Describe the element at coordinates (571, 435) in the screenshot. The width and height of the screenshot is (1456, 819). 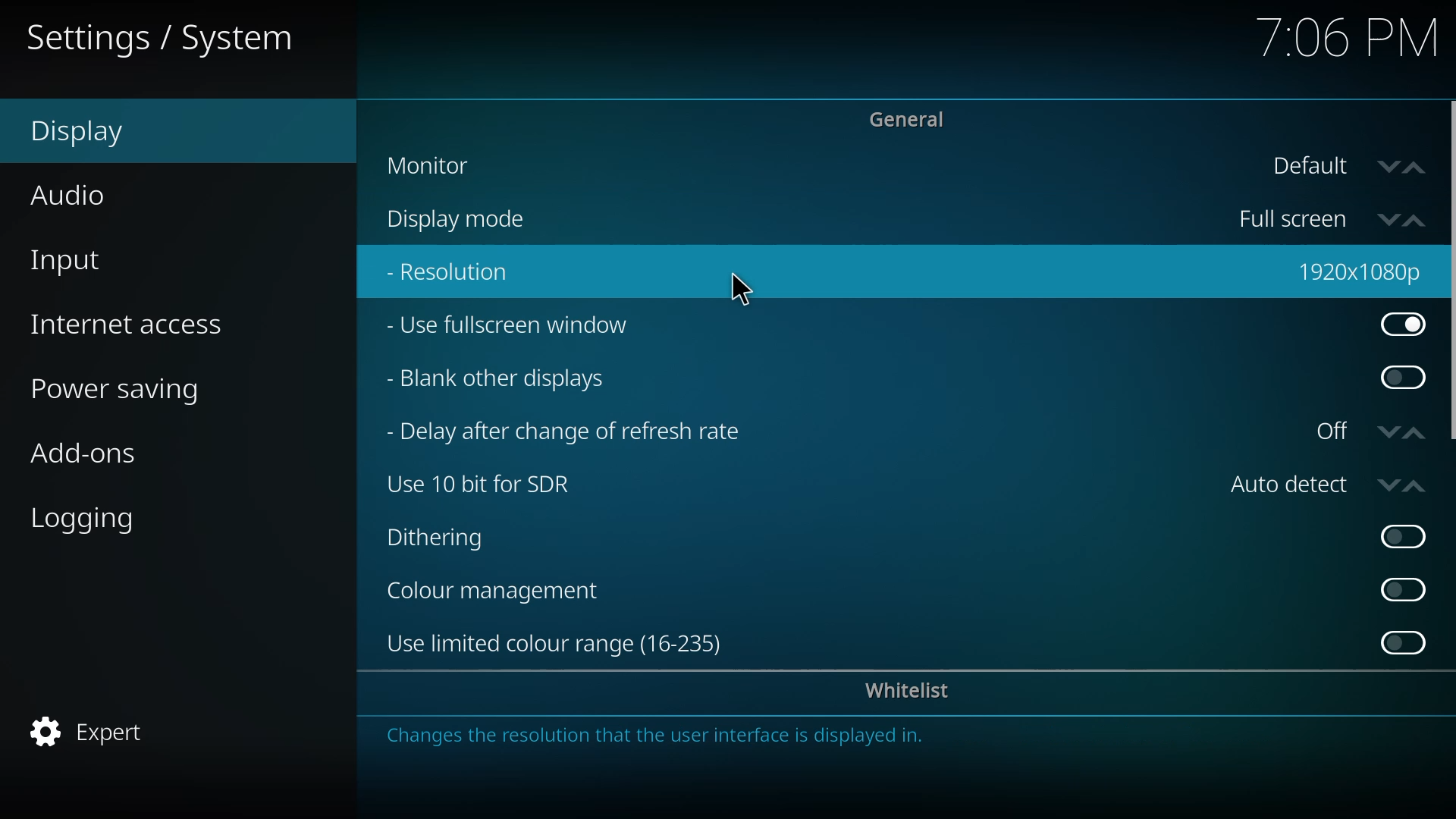
I see `delay after change of refresh rate` at that location.